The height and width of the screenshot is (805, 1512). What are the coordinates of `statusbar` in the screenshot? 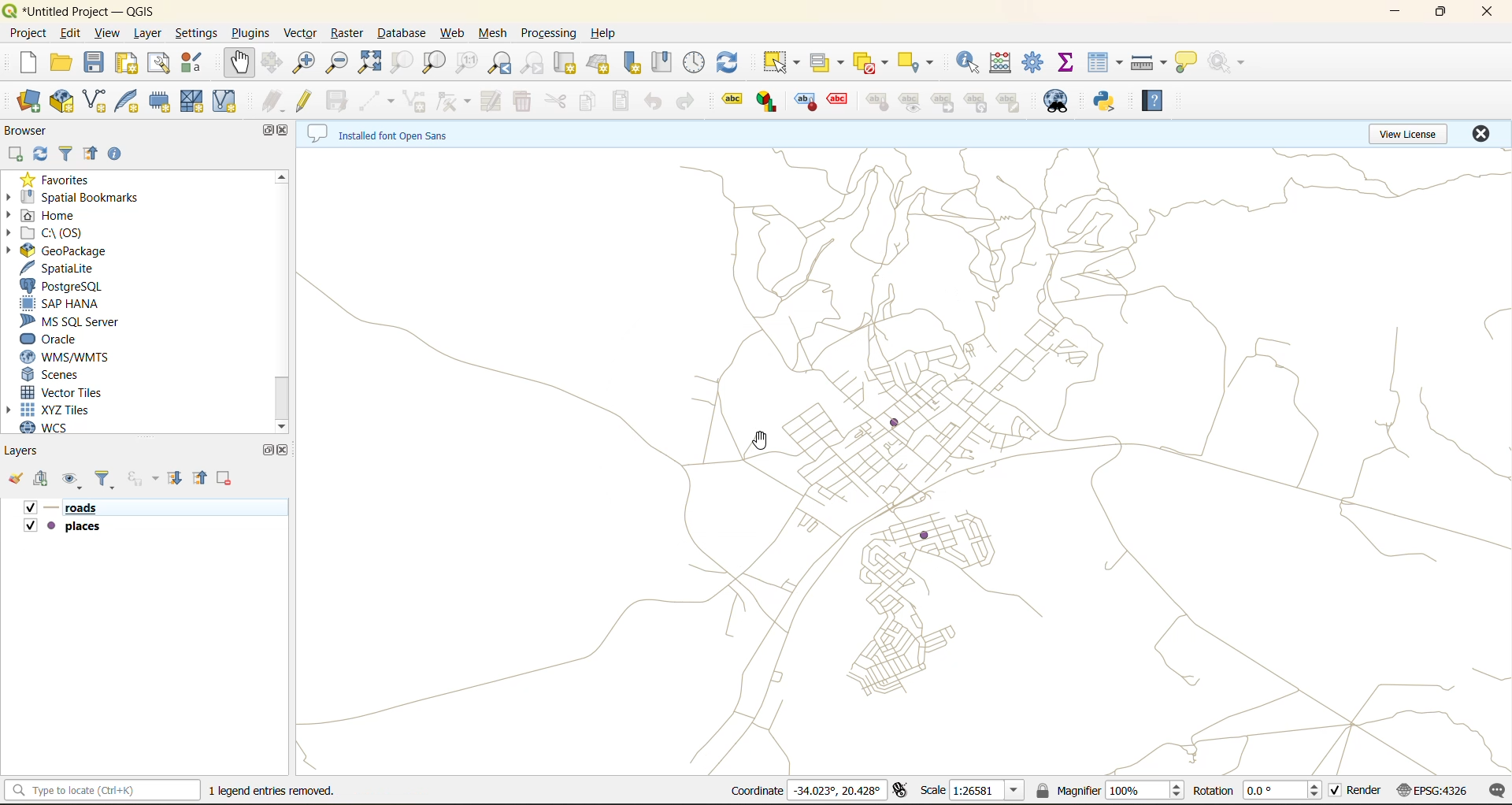 It's located at (105, 789).